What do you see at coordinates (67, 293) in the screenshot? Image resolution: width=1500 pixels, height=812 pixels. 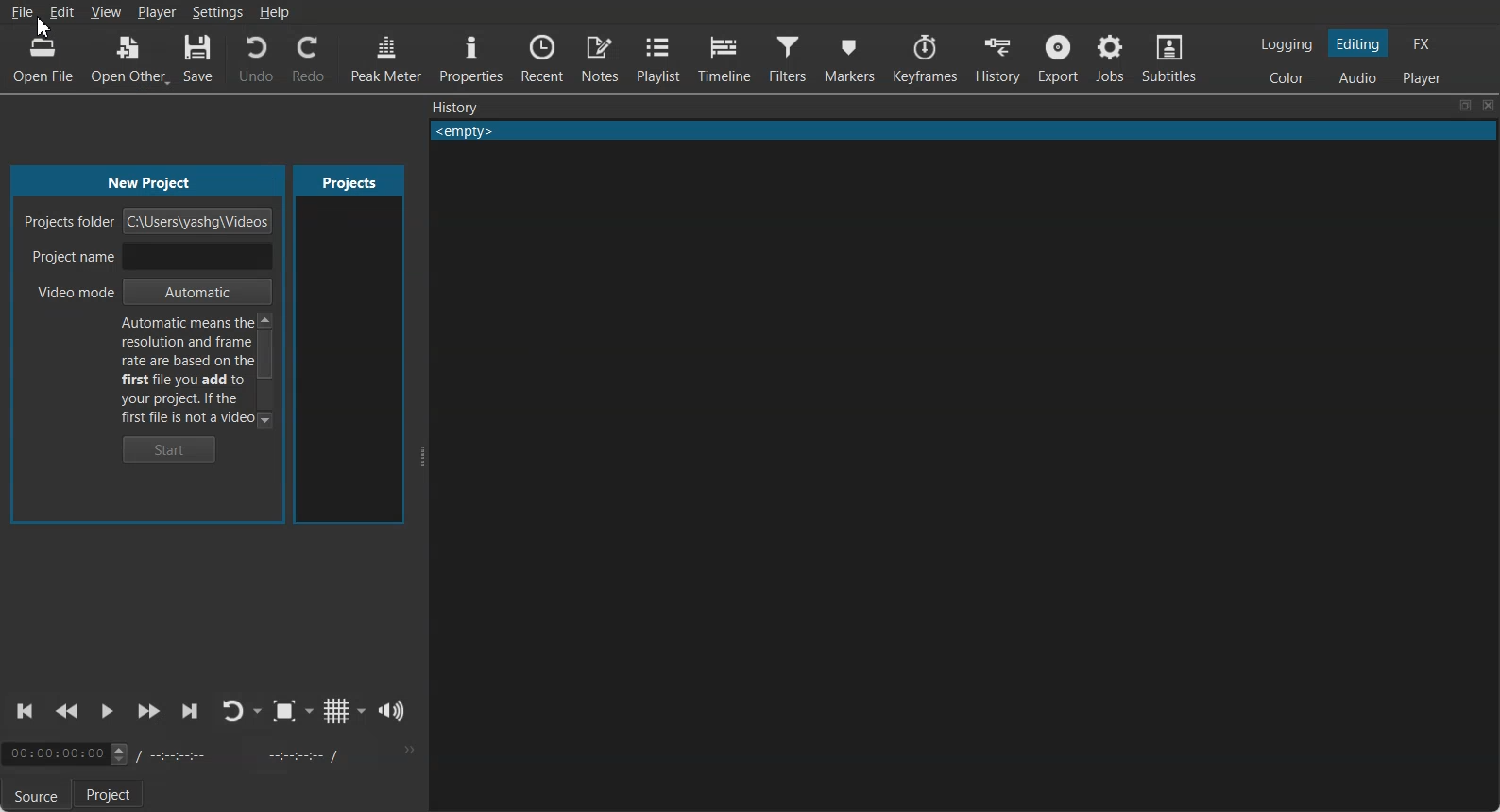 I see `Video mode` at bounding box center [67, 293].